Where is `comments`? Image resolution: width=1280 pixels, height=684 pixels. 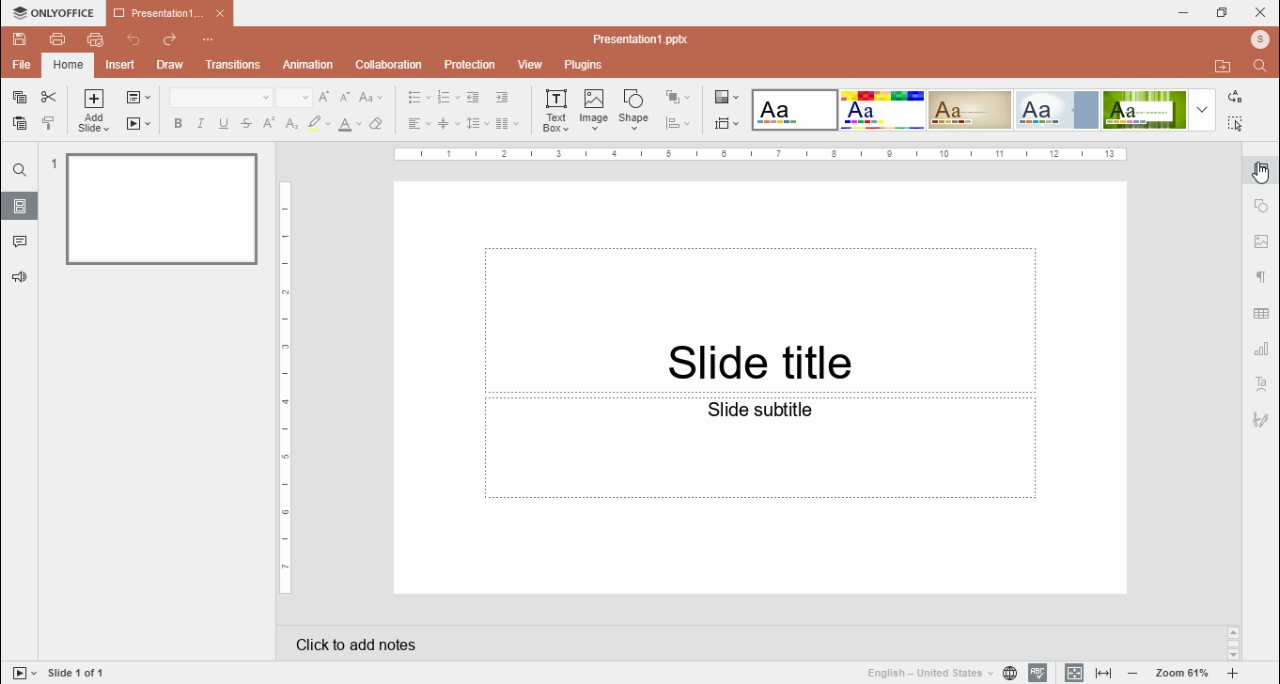 comments is located at coordinates (20, 240).